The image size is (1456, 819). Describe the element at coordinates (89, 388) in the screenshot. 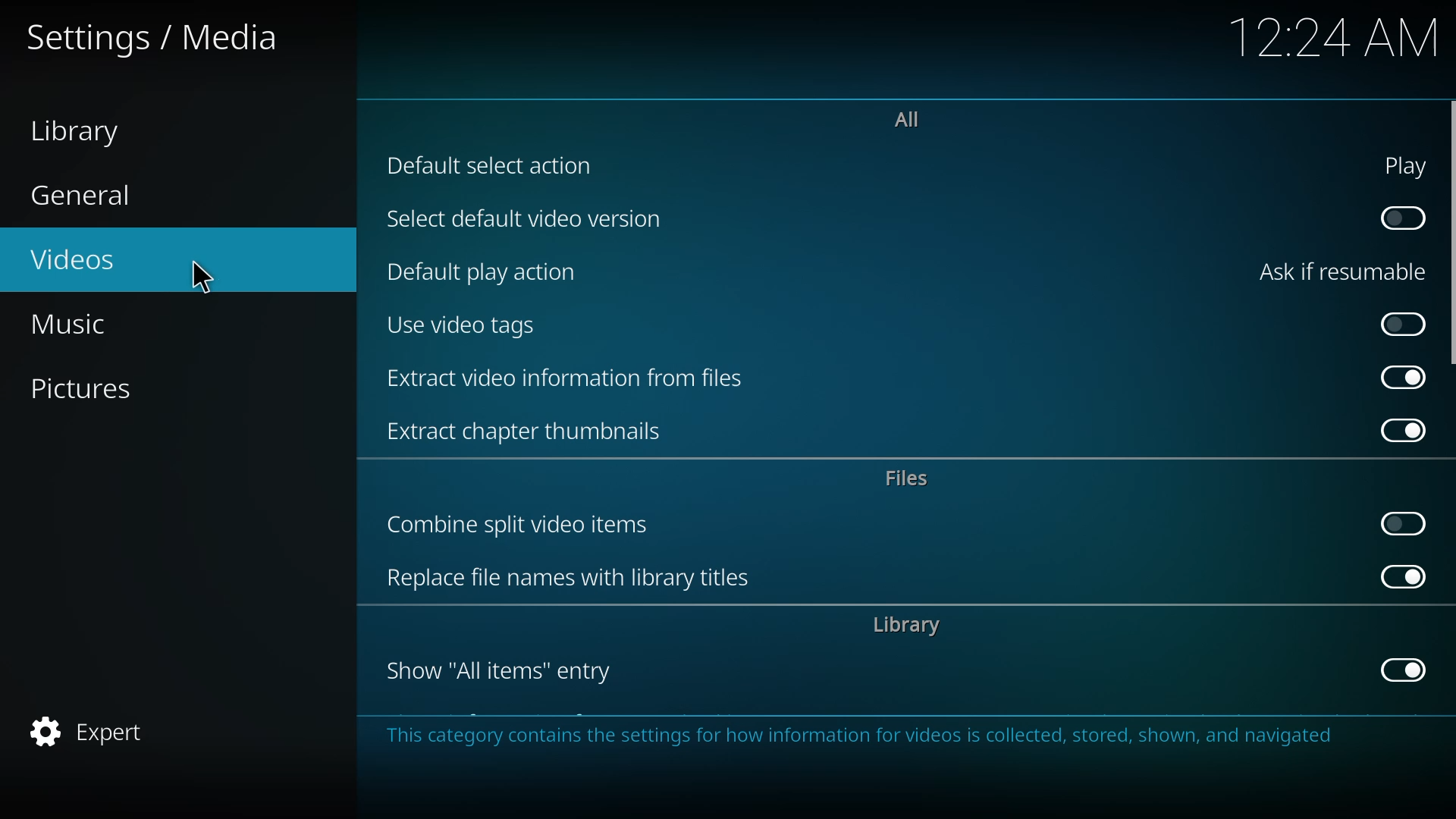

I see `pictures` at that location.